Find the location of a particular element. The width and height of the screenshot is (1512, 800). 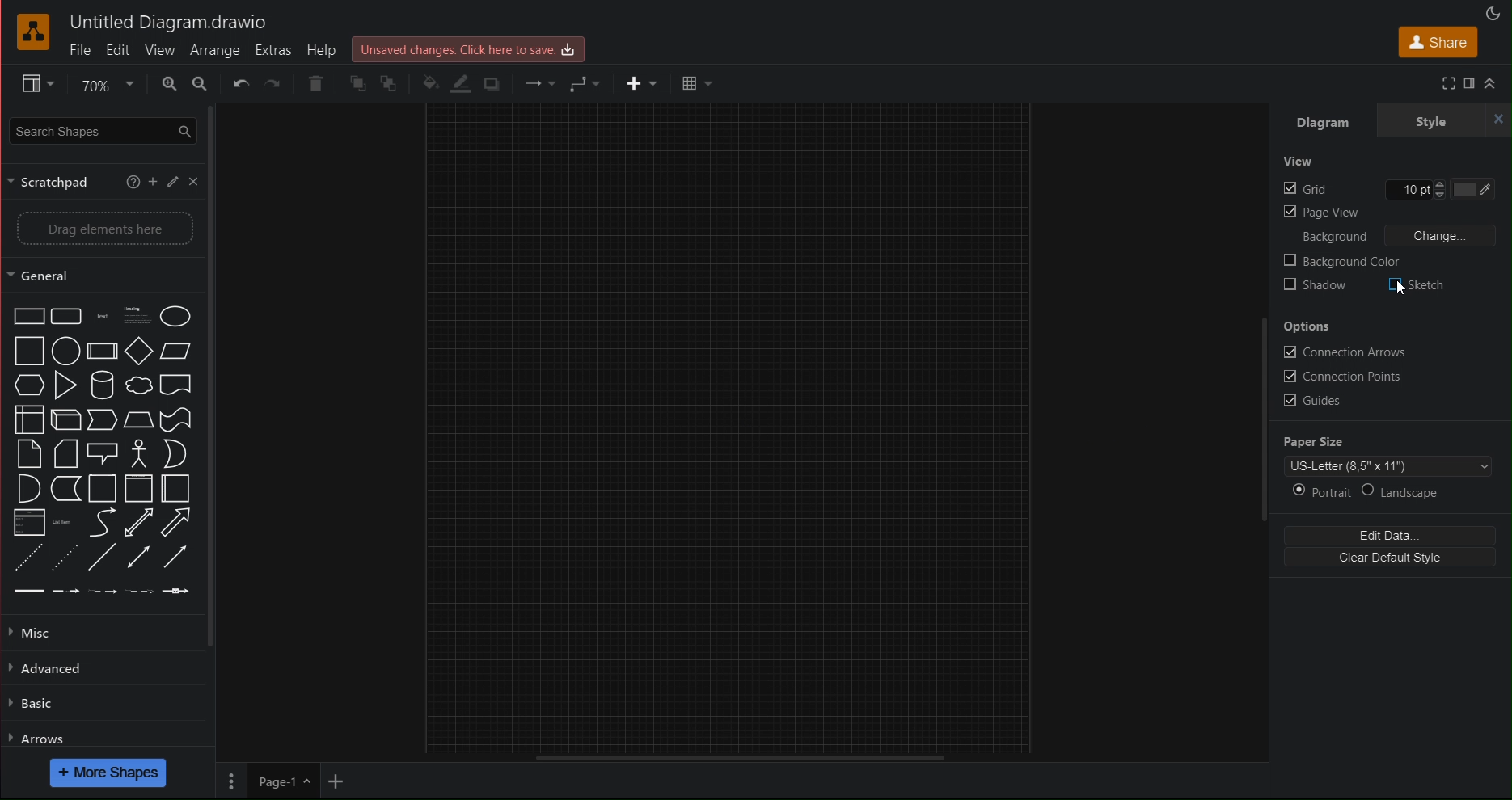

diamond is located at coordinates (139, 352).